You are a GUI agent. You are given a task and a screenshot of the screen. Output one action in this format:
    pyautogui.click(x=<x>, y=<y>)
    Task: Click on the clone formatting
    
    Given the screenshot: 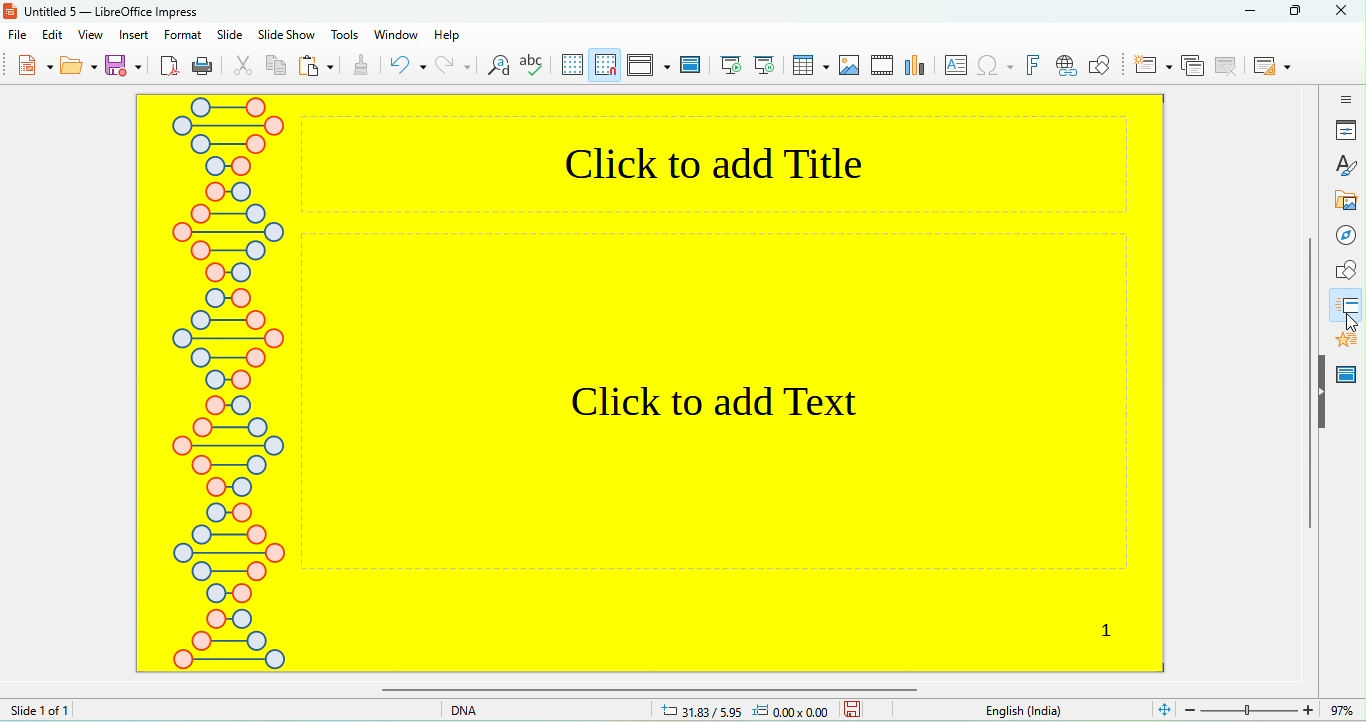 What is the action you would take?
    pyautogui.click(x=363, y=68)
    